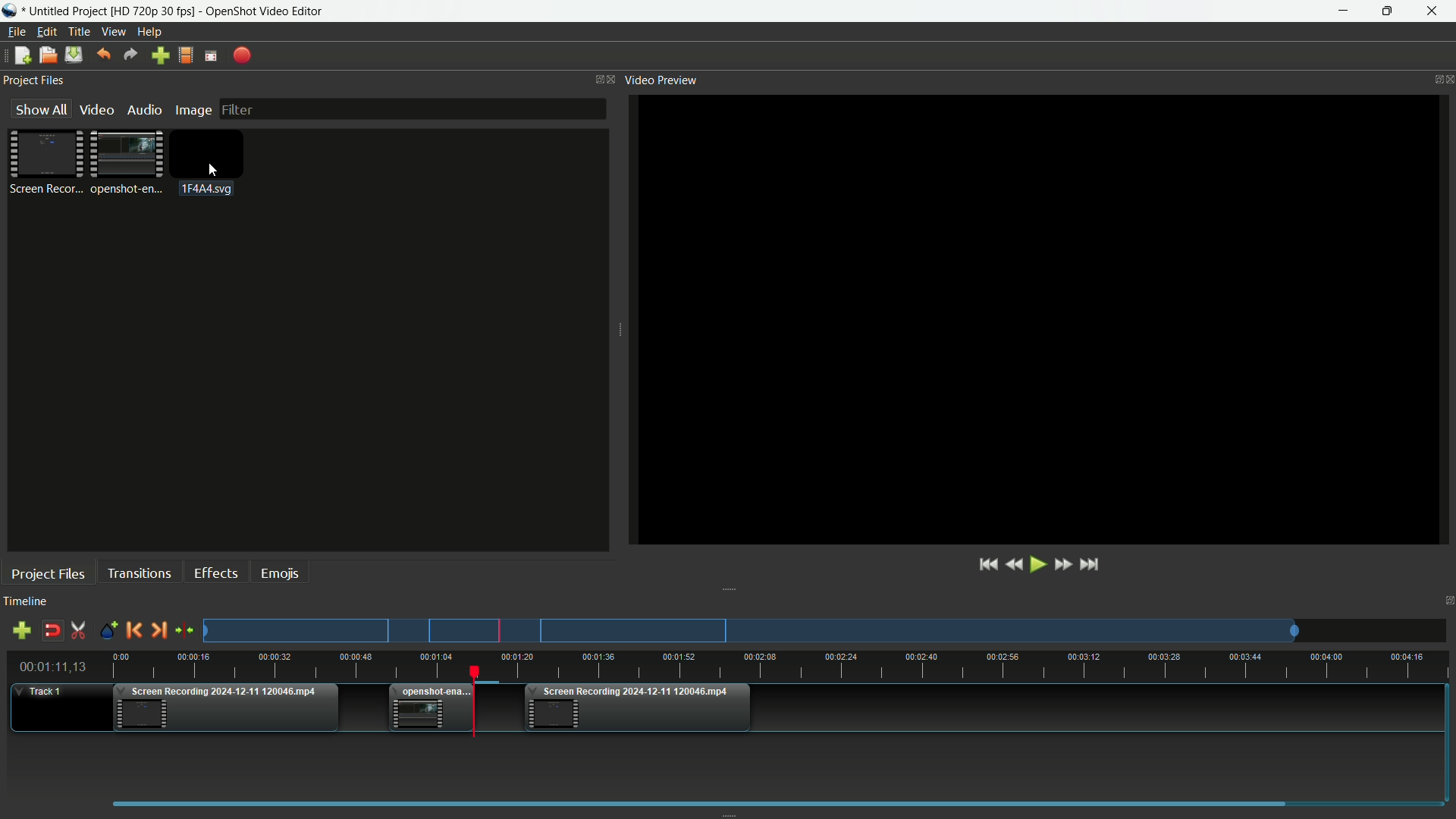 This screenshot has height=819, width=1456. What do you see at coordinates (280, 572) in the screenshot?
I see `Emojis` at bounding box center [280, 572].